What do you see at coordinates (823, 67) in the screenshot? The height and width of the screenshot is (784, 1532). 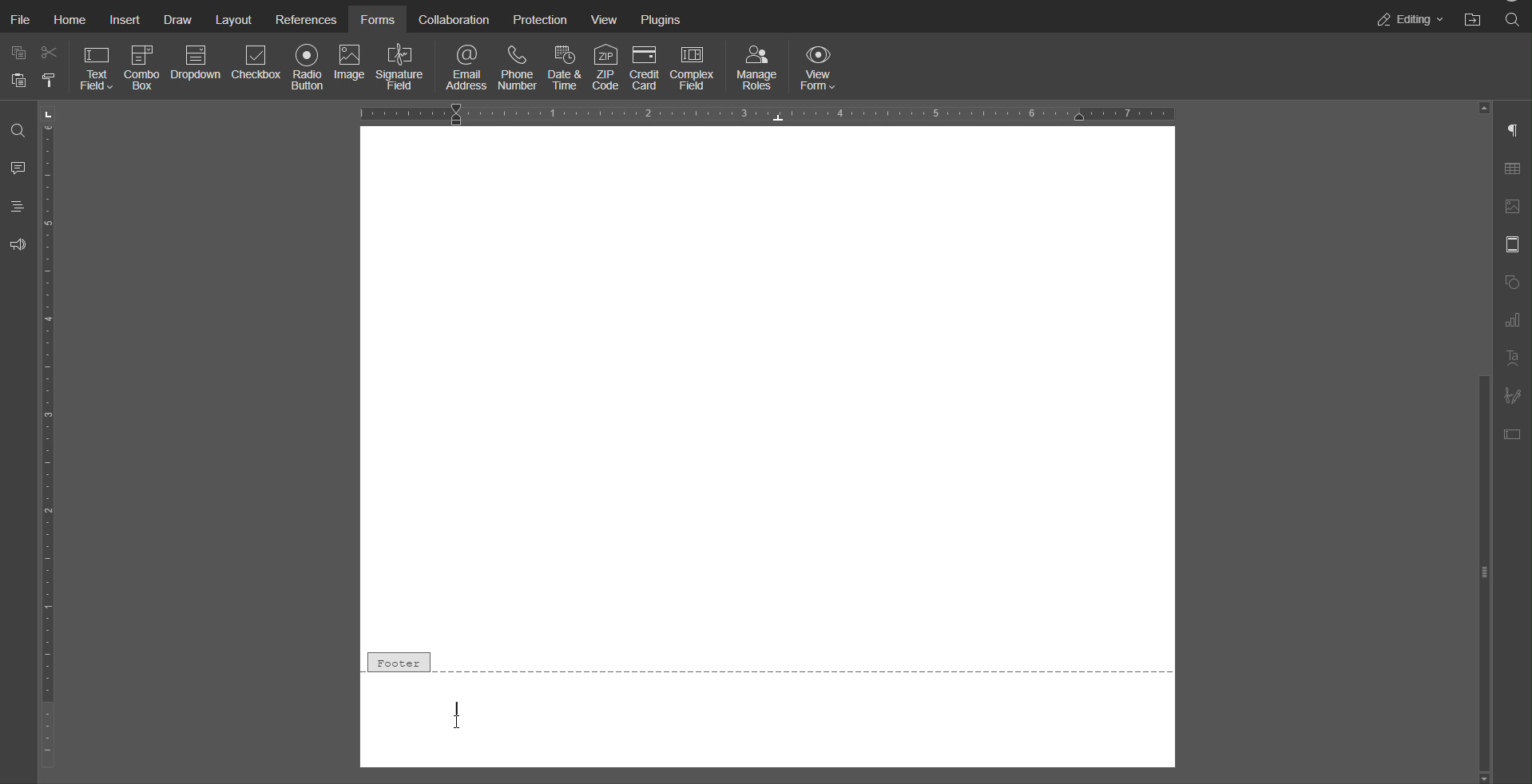 I see `View Form` at bounding box center [823, 67].